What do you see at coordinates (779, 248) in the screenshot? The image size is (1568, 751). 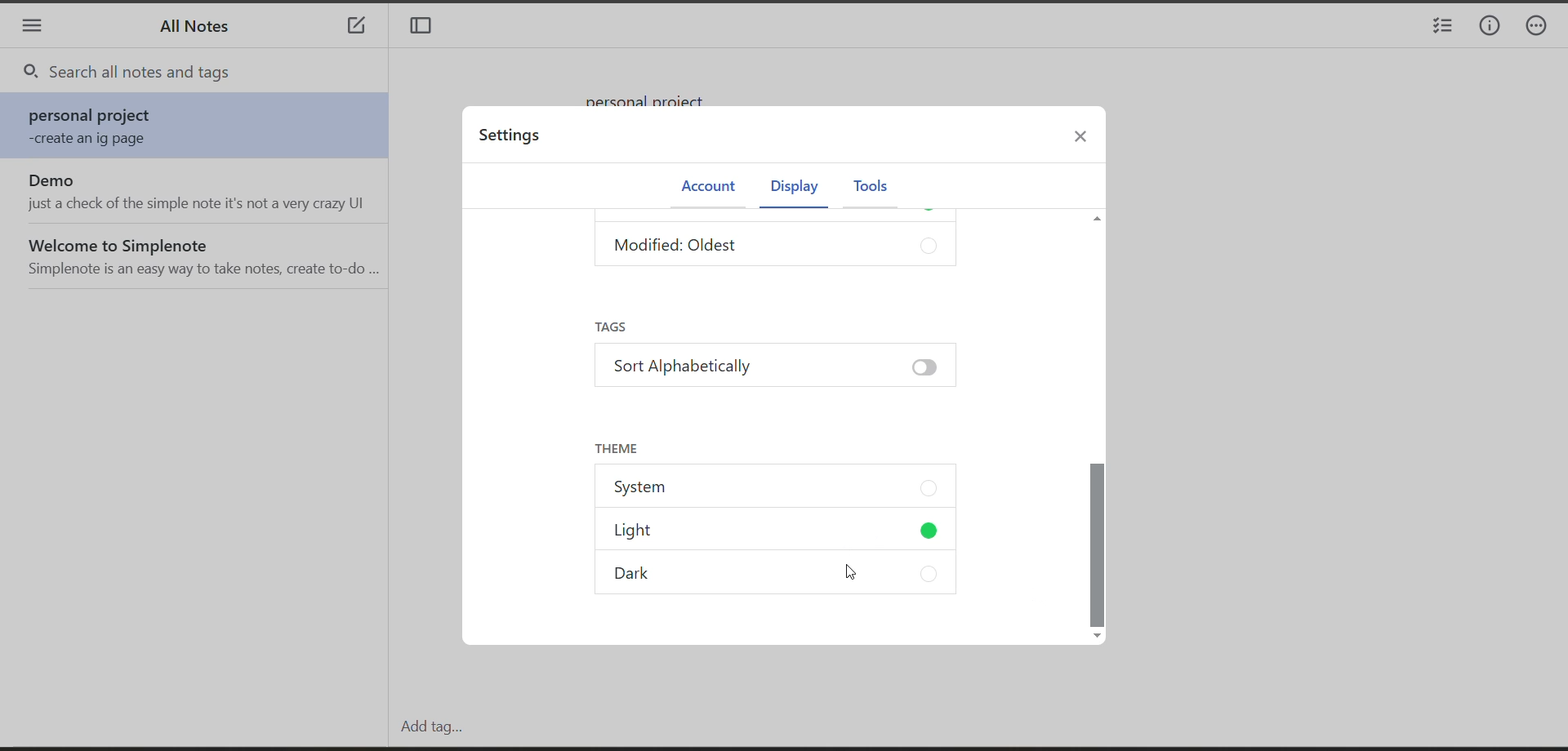 I see `modified: oldest` at bounding box center [779, 248].